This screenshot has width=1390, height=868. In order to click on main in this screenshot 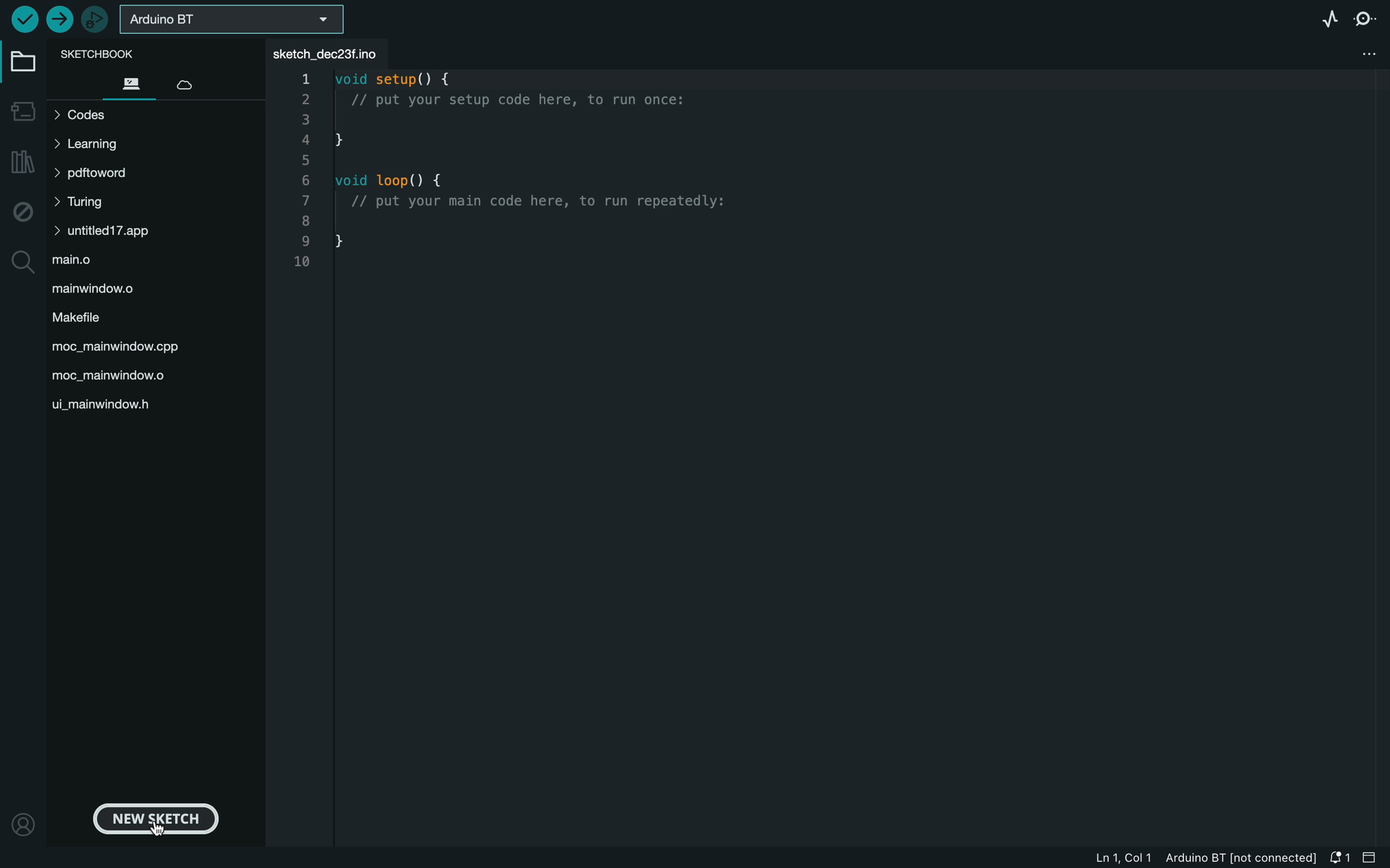, I will do `click(82, 258)`.